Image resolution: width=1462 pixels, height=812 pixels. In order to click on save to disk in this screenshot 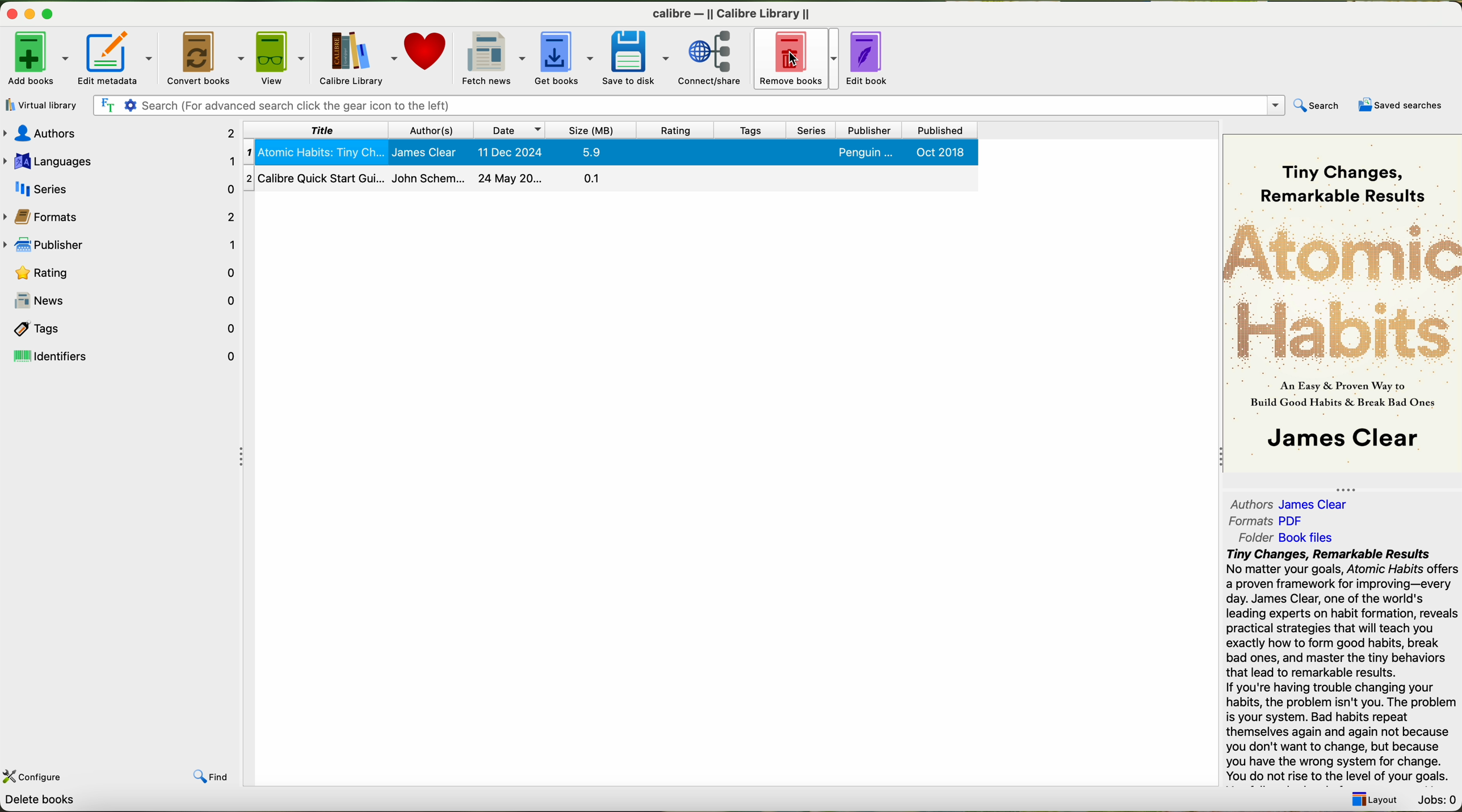, I will do `click(635, 57)`.